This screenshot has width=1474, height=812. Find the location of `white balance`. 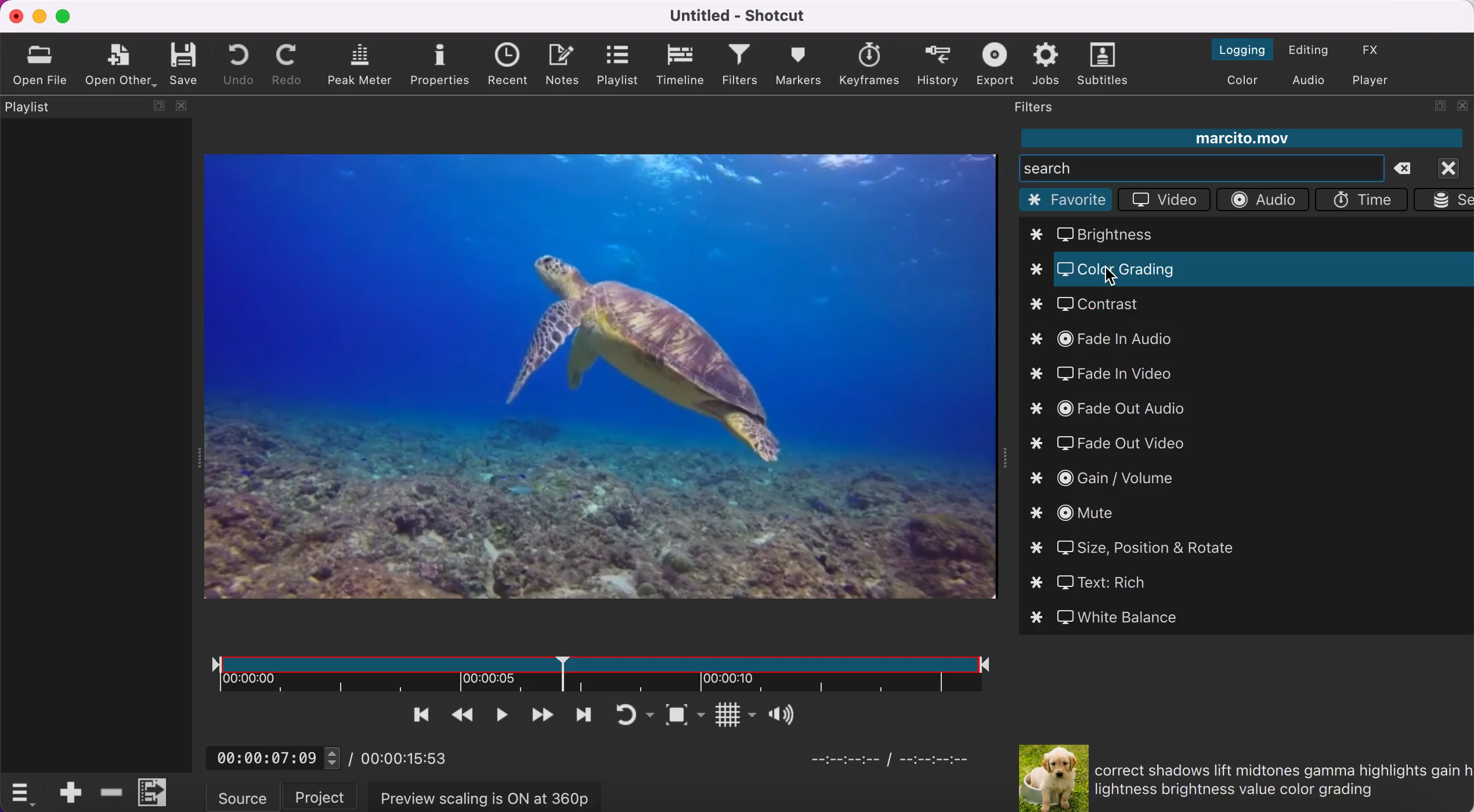

white balance is located at coordinates (1110, 617).